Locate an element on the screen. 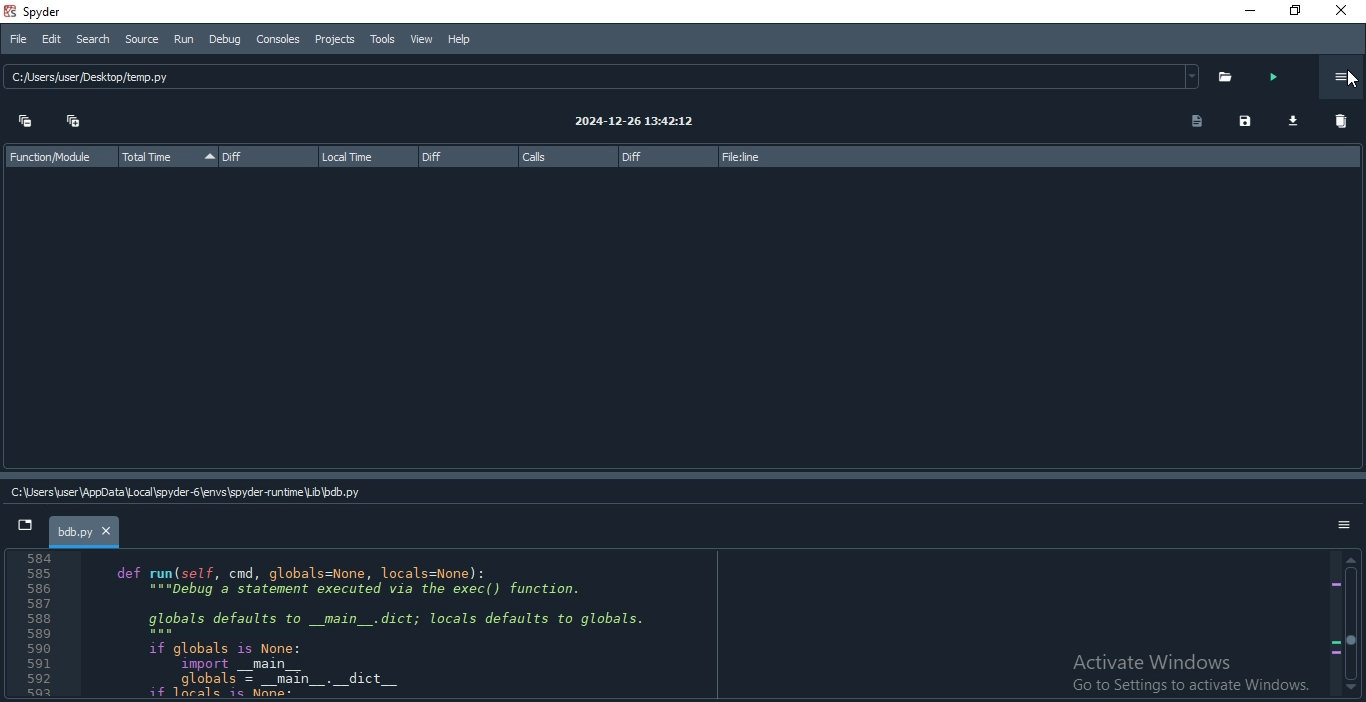 Image resolution: width=1366 pixels, height=702 pixels. Expand is located at coordinates (74, 126).